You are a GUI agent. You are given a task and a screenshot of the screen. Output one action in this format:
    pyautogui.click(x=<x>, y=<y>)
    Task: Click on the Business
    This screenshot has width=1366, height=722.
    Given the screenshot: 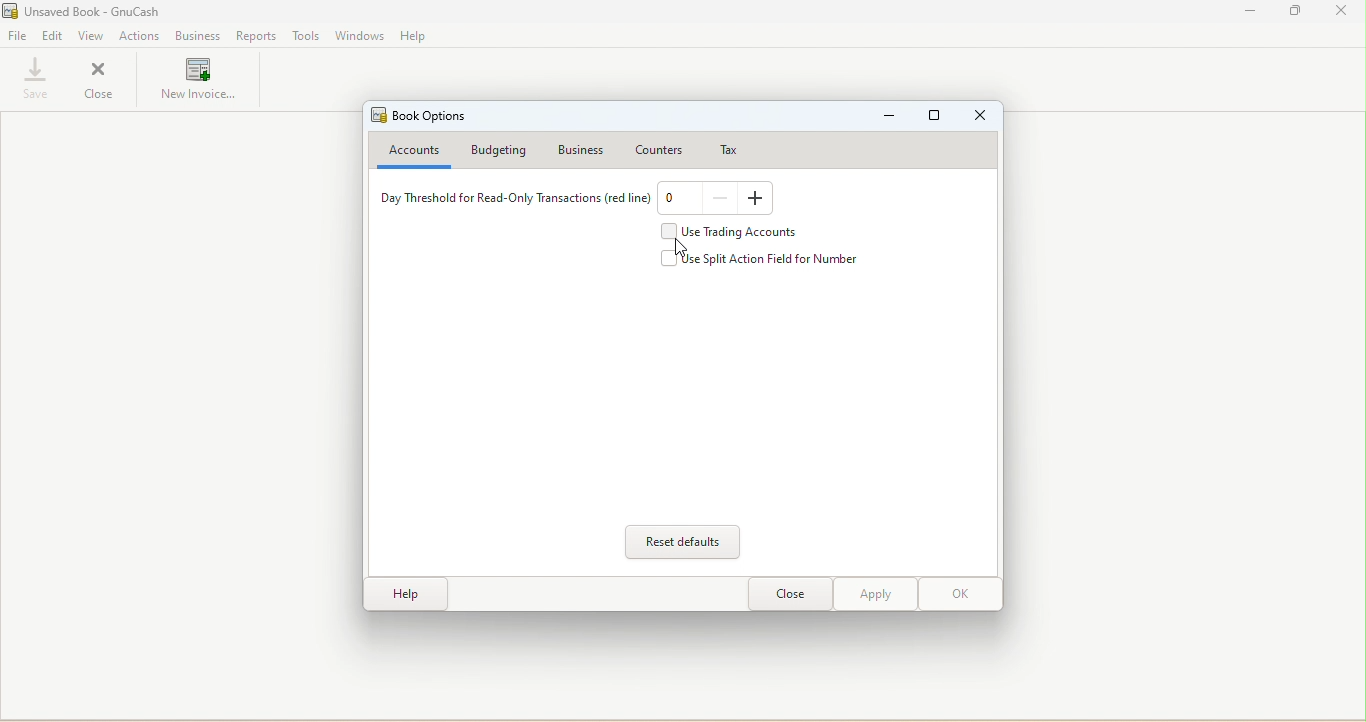 What is the action you would take?
    pyautogui.click(x=585, y=149)
    